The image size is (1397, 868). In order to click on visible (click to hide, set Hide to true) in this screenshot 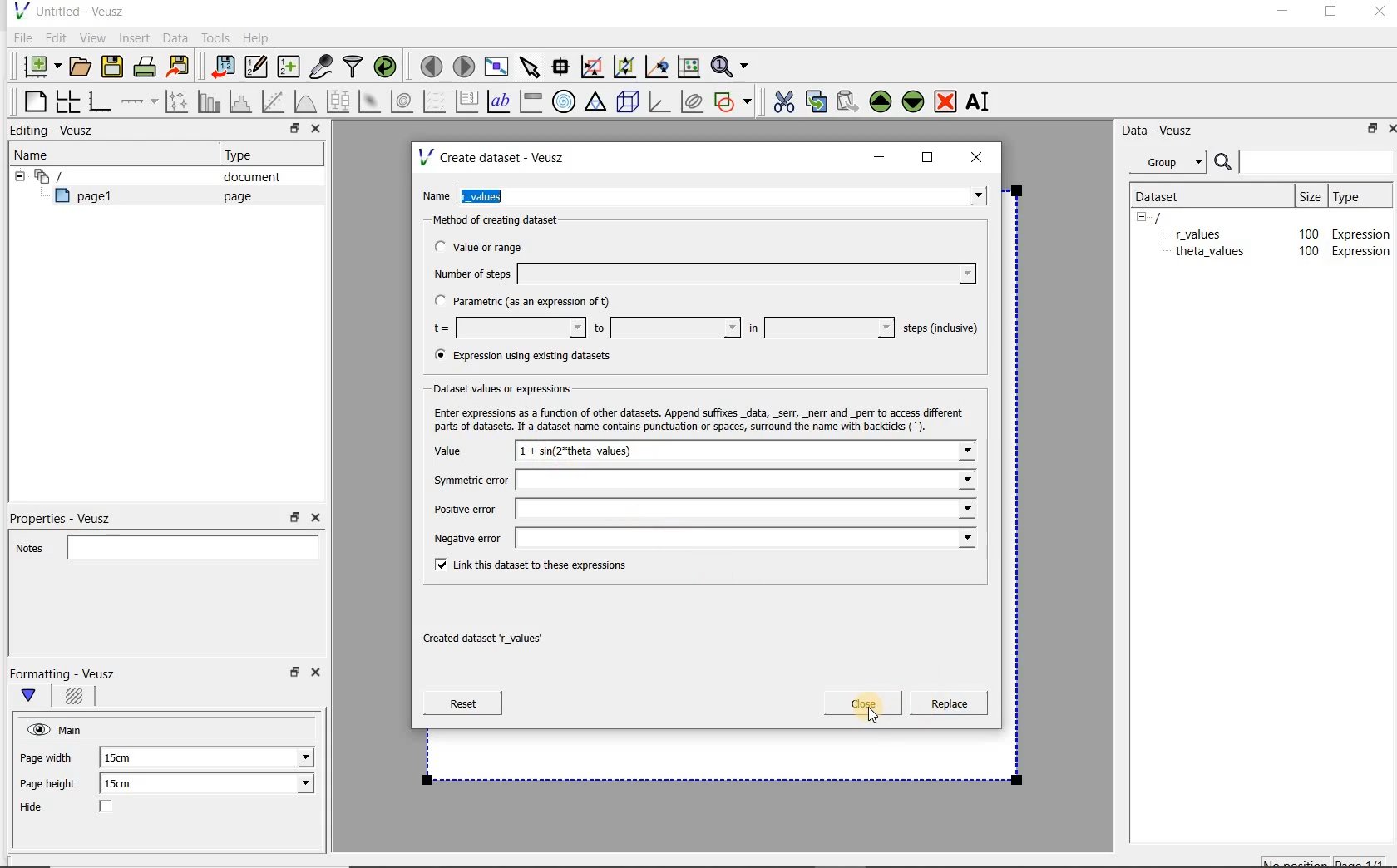, I will do `click(36, 729)`.